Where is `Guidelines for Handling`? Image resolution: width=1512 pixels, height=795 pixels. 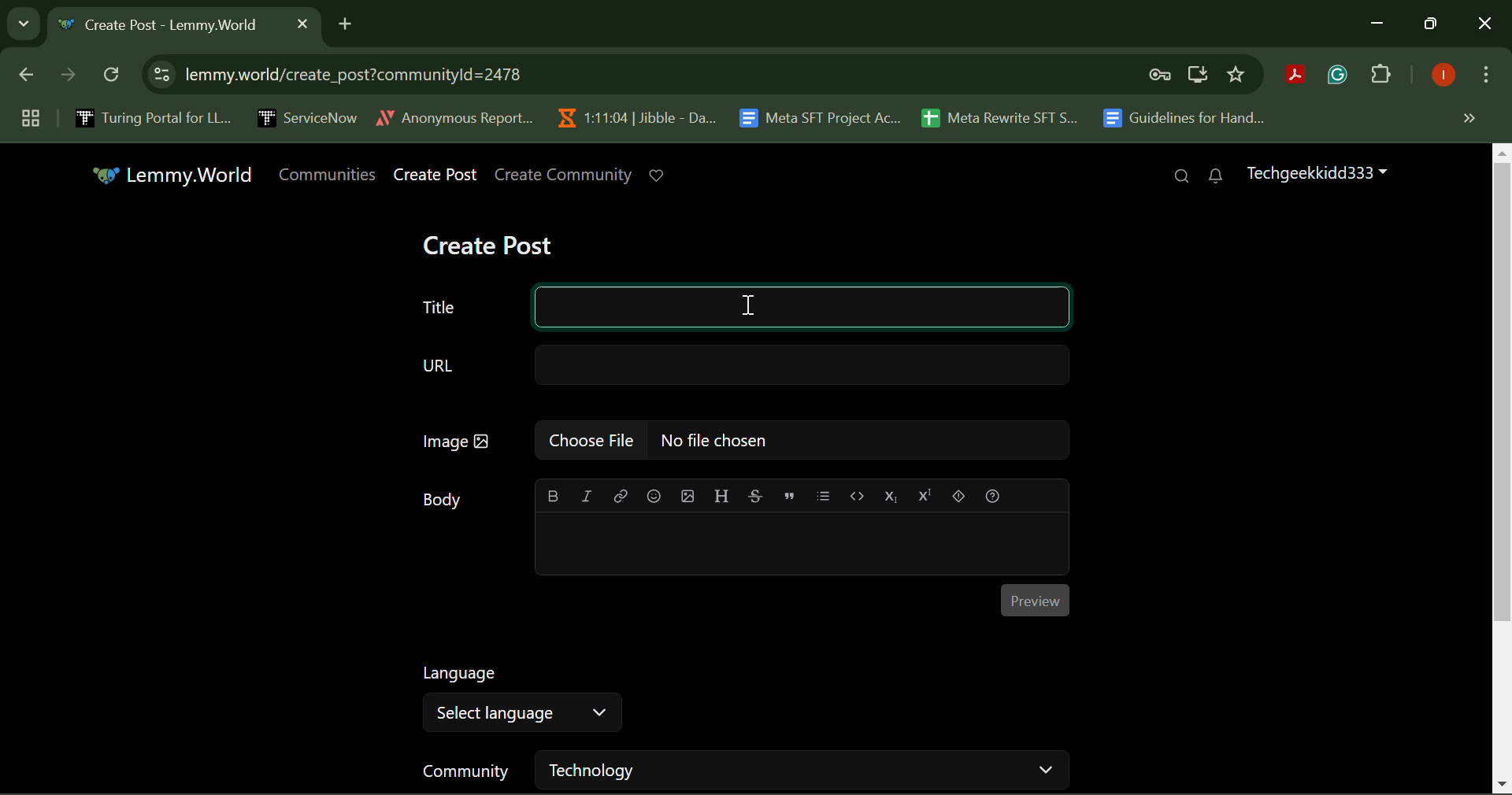
Guidelines for Handling is located at coordinates (1186, 118).